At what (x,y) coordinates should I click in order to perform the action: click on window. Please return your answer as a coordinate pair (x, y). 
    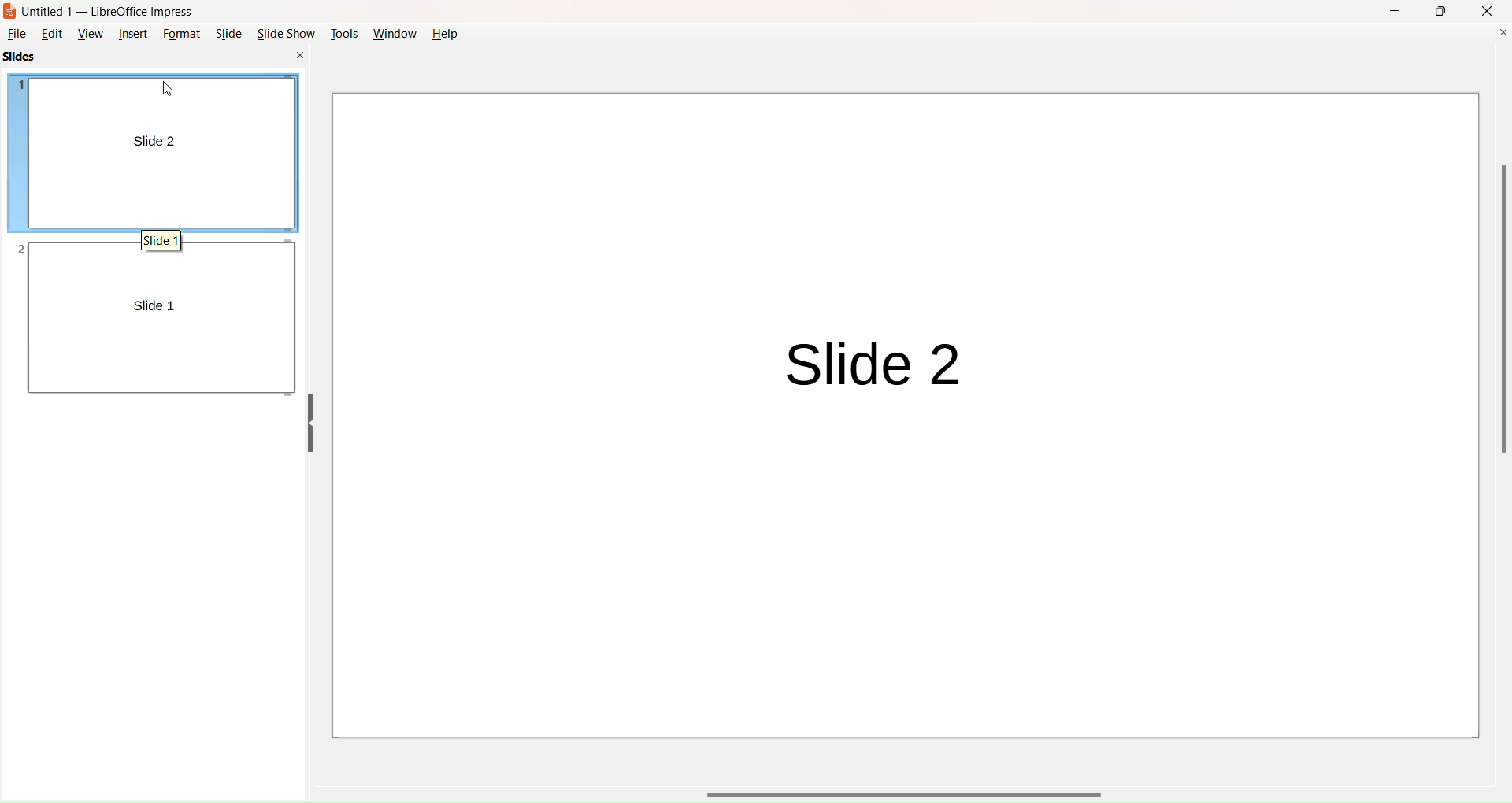
    Looking at the image, I should click on (392, 33).